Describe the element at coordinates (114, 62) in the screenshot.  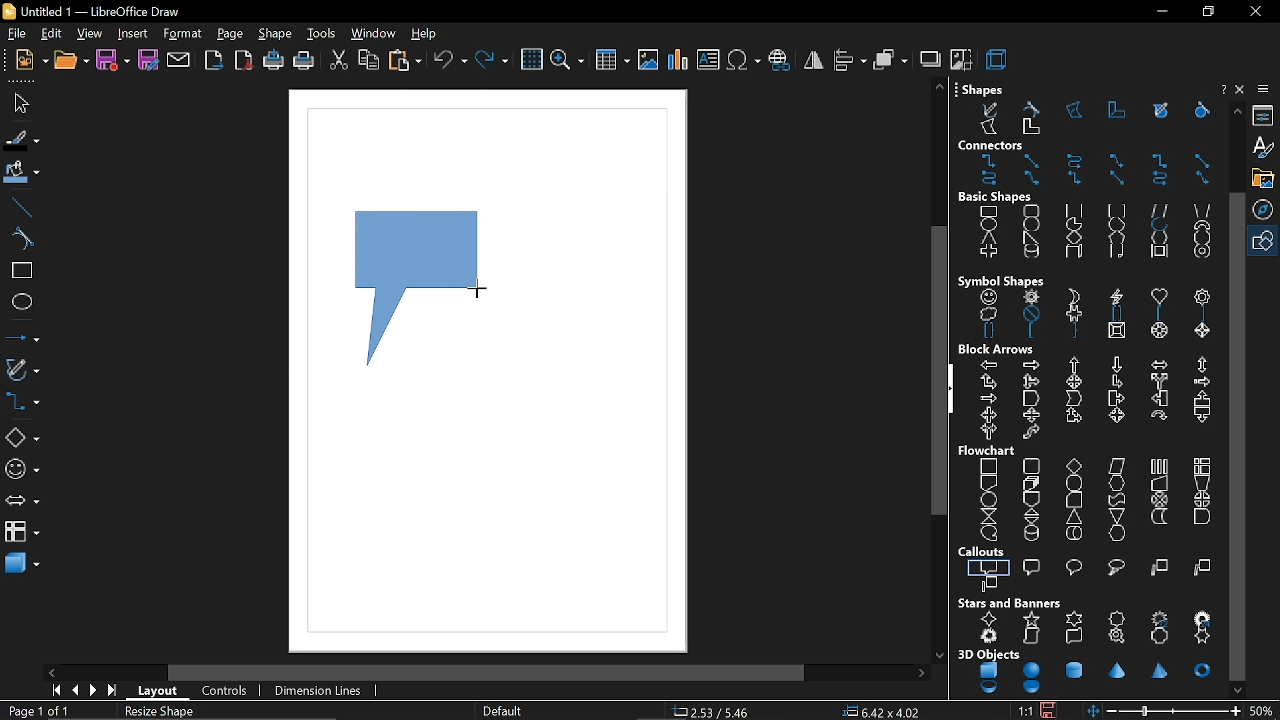
I see `save` at that location.